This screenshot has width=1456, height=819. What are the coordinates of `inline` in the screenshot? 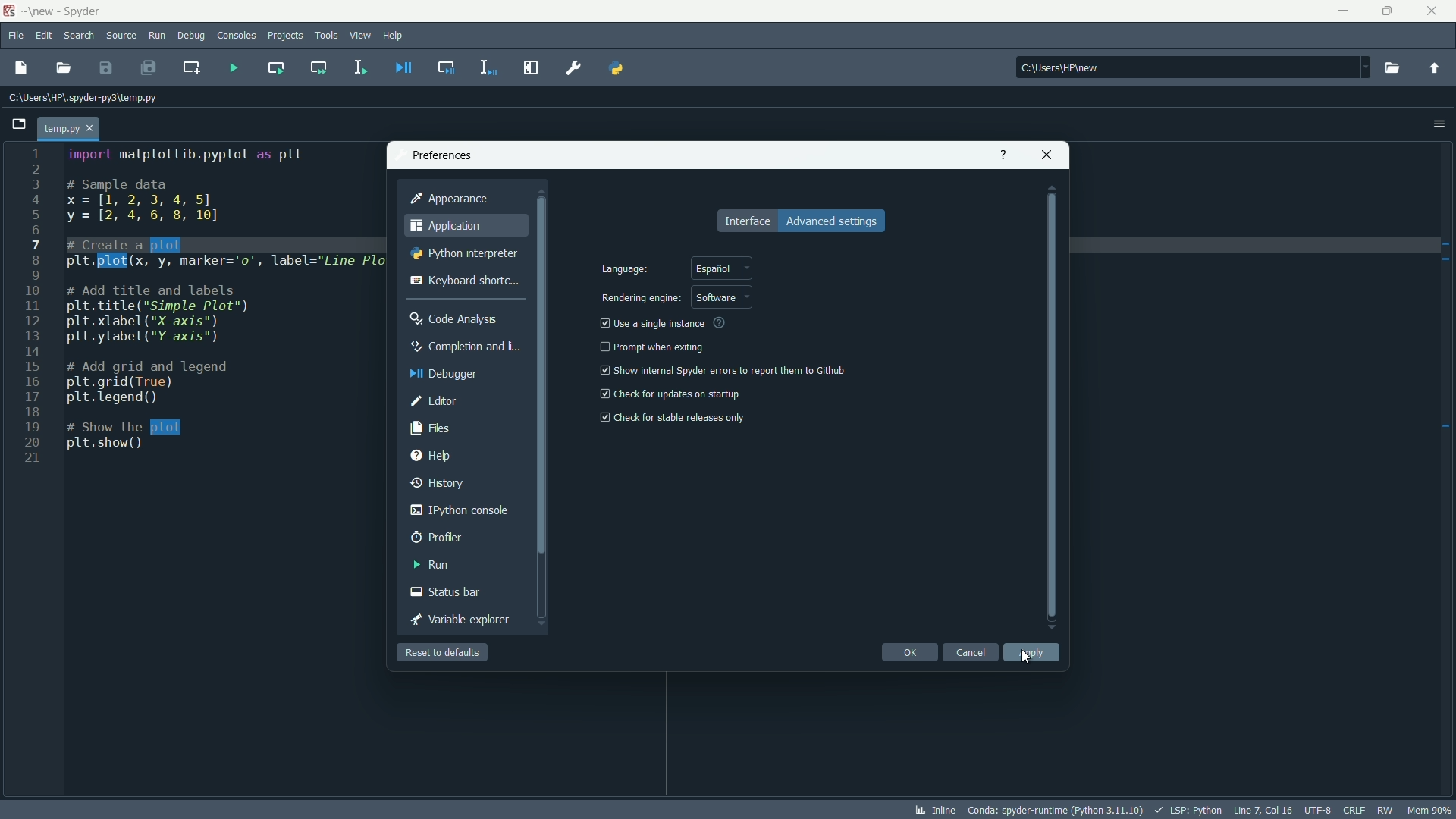 It's located at (937, 811).